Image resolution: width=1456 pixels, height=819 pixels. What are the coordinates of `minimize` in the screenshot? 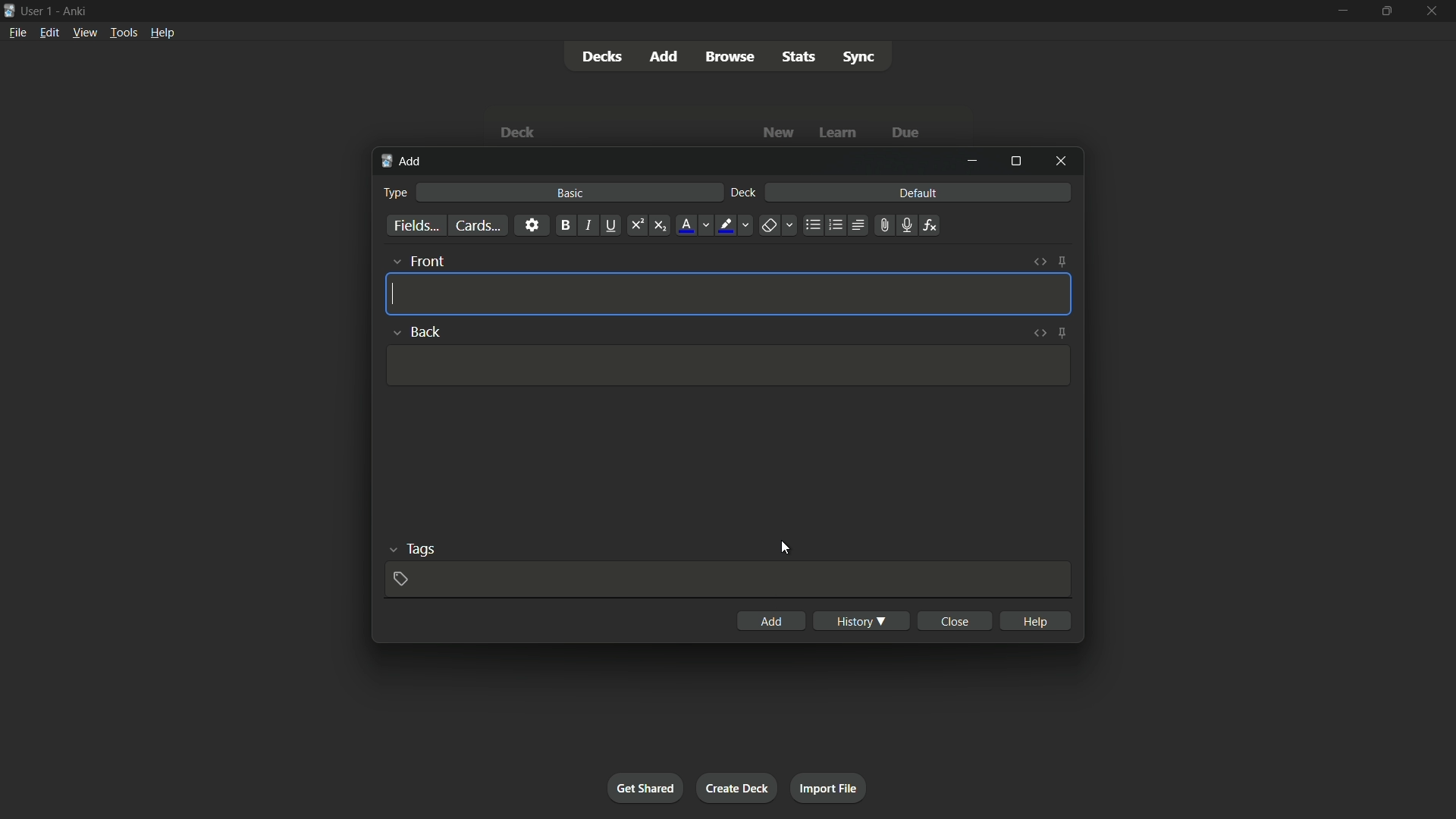 It's located at (1341, 11).